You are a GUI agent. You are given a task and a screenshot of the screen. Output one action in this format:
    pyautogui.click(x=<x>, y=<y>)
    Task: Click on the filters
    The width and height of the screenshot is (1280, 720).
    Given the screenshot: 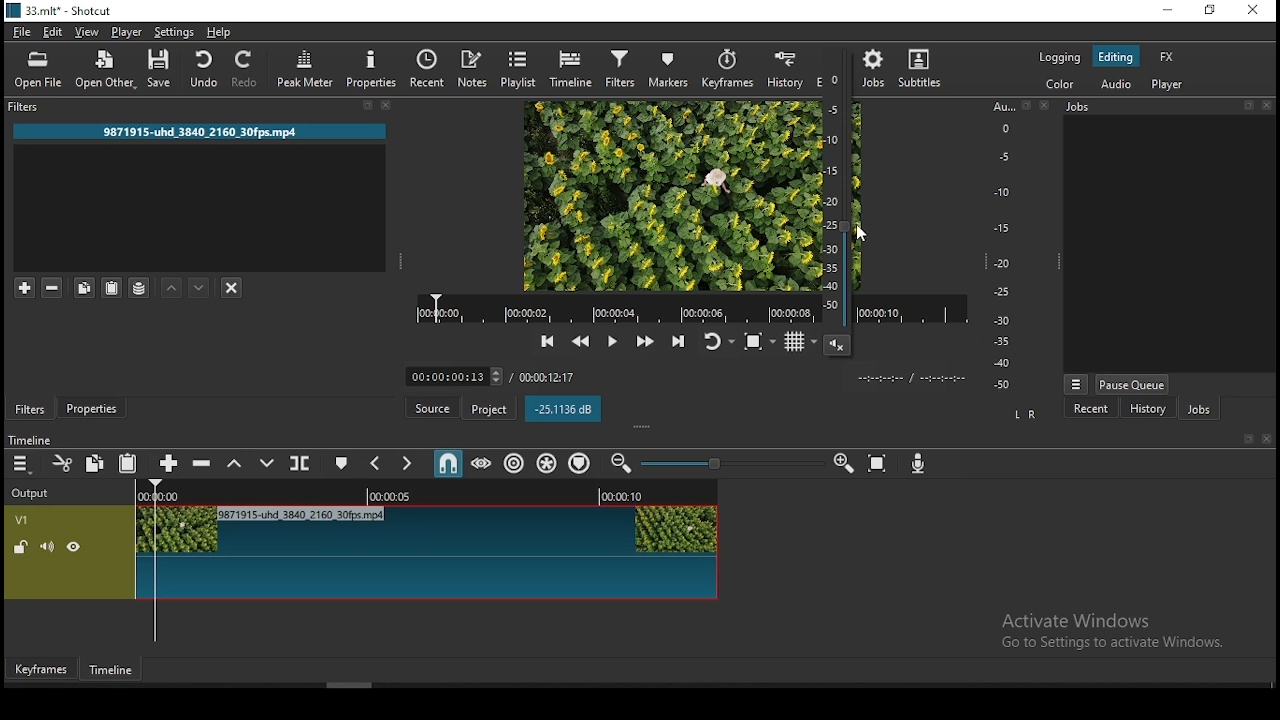 What is the action you would take?
    pyautogui.click(x=26, y=109)
    